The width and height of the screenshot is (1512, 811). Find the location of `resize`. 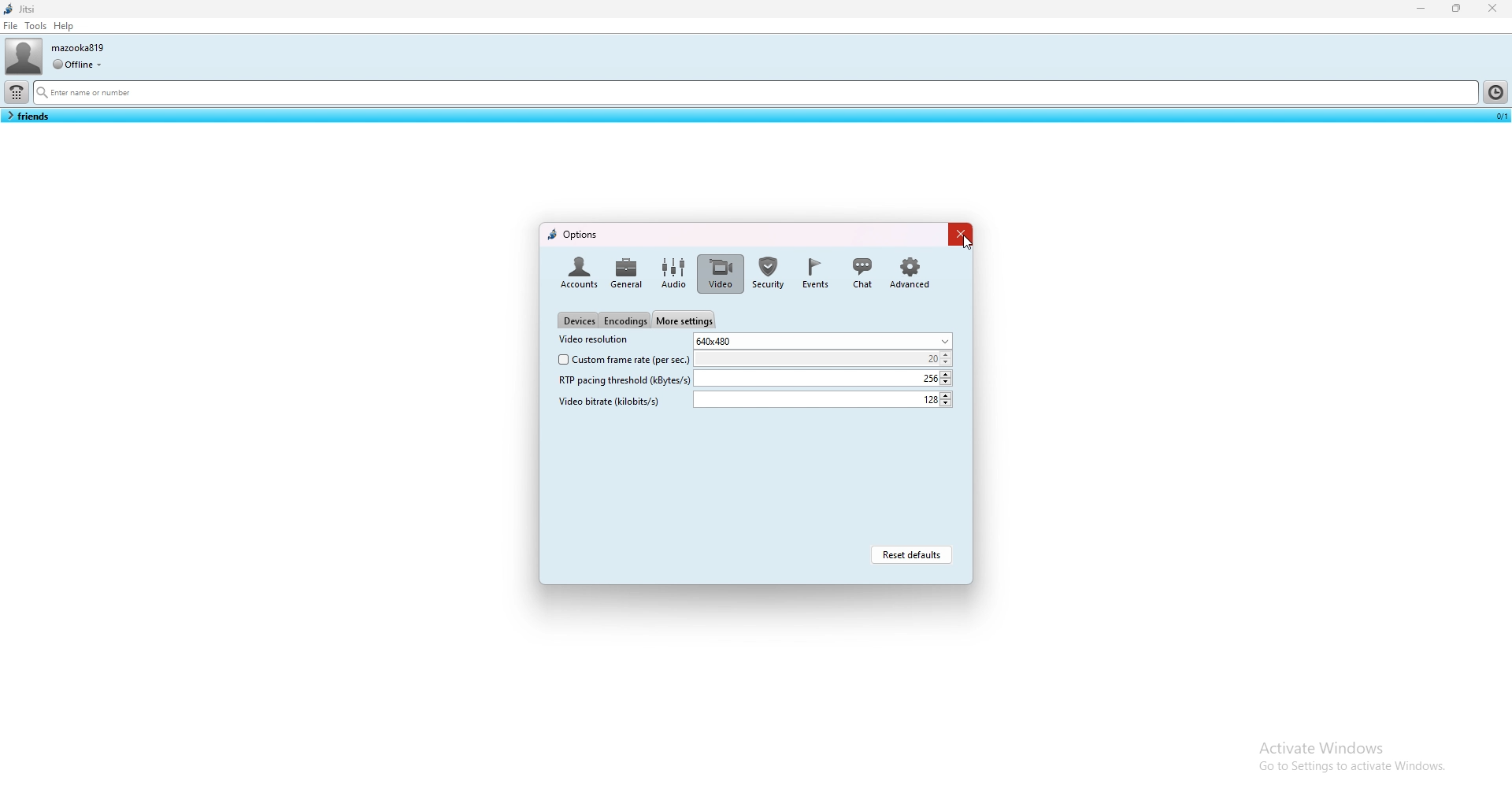

resize is located at coordinates (1458, 9).